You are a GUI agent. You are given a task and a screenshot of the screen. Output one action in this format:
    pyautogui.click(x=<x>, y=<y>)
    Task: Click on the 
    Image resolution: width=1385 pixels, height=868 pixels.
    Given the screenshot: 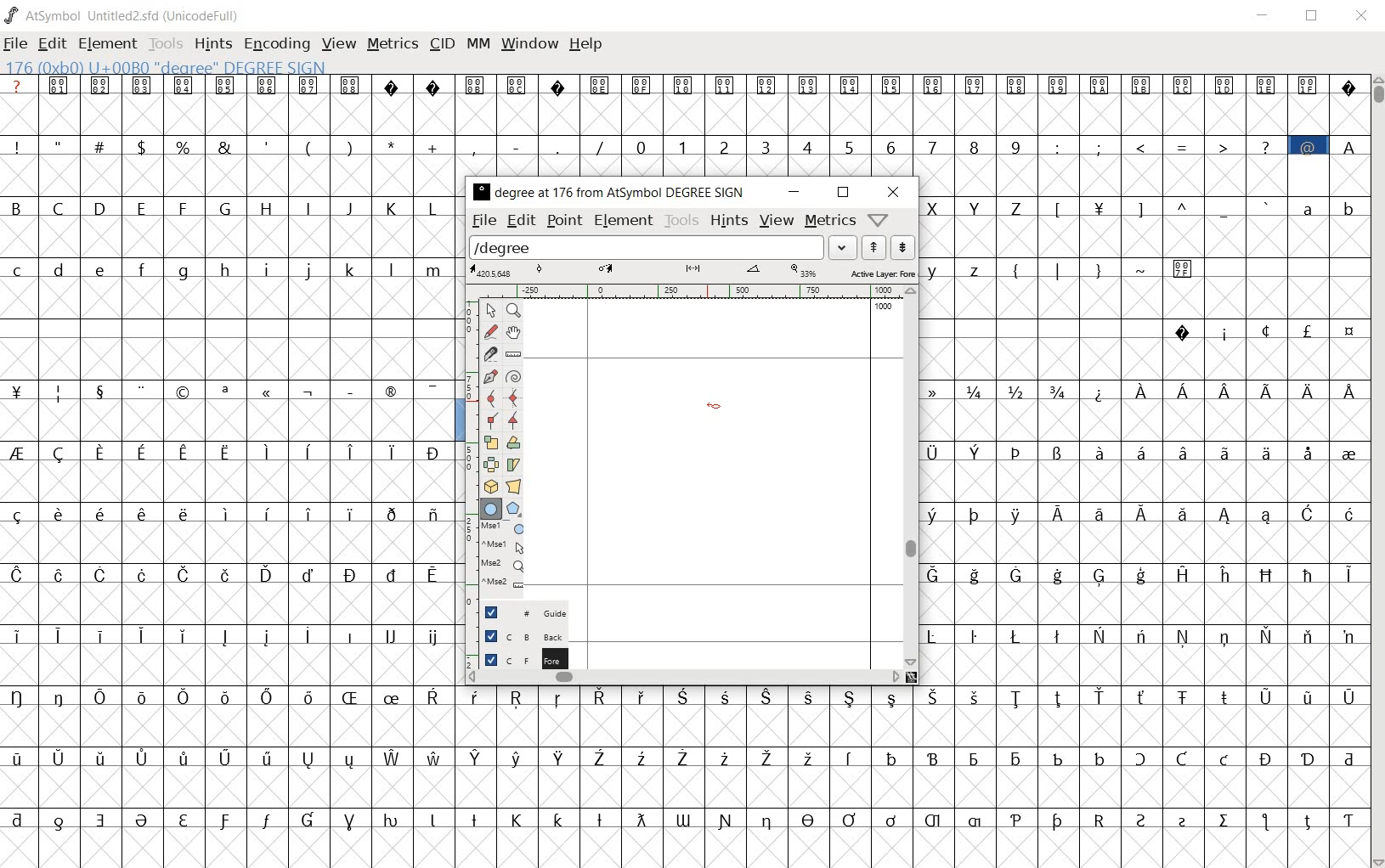 What is the action you would take?
    pyautogui.click(x=1141, y=664)
    